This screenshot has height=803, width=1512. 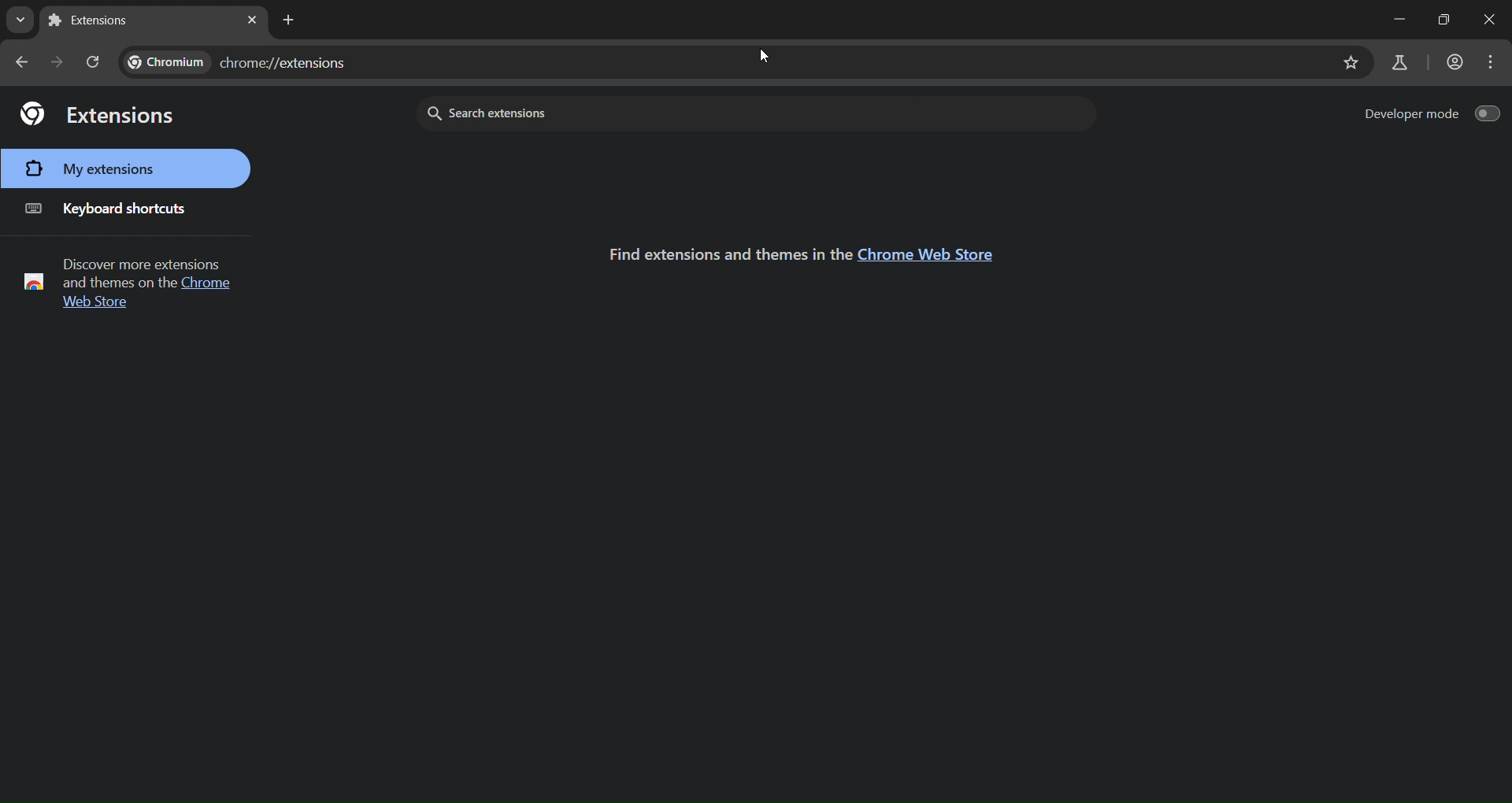 What do you see at coordinates (252, 20) in the screenshot?
I see `close tab` at bounding box center [252, 20].